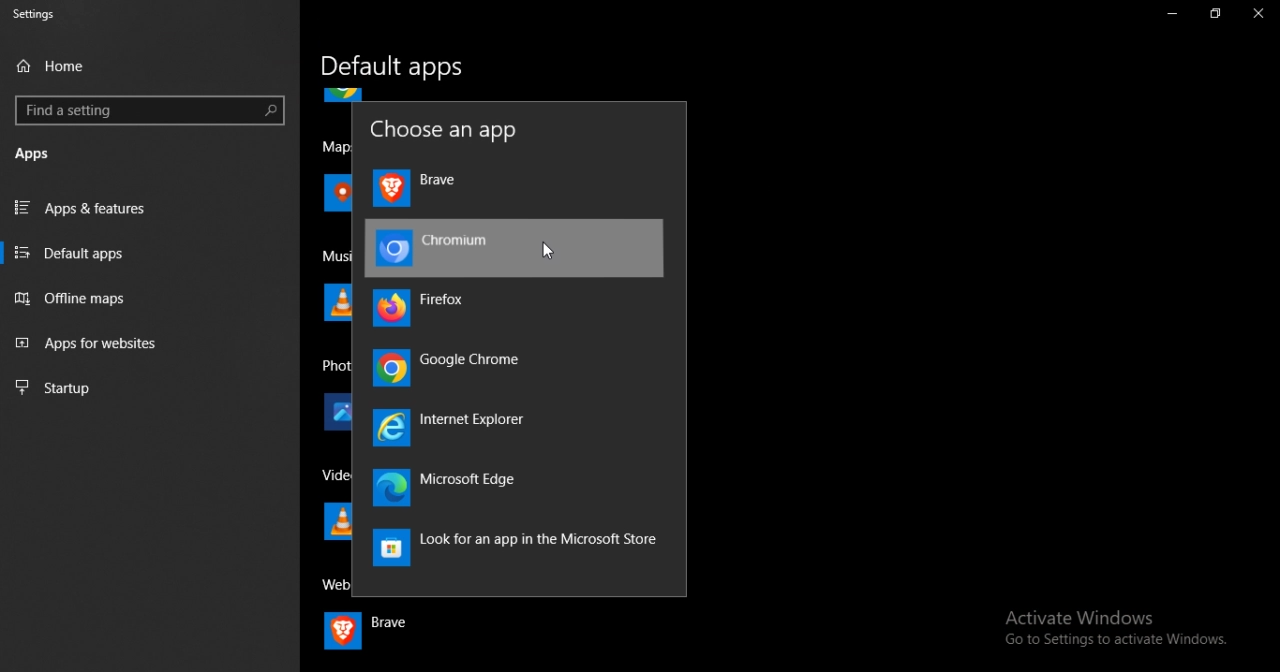 Image resolution: width=1280 pixels, height=672 pixels. Describe the element at coordinates (452, 368) in the screenshot. I see `google chrome` at that location.